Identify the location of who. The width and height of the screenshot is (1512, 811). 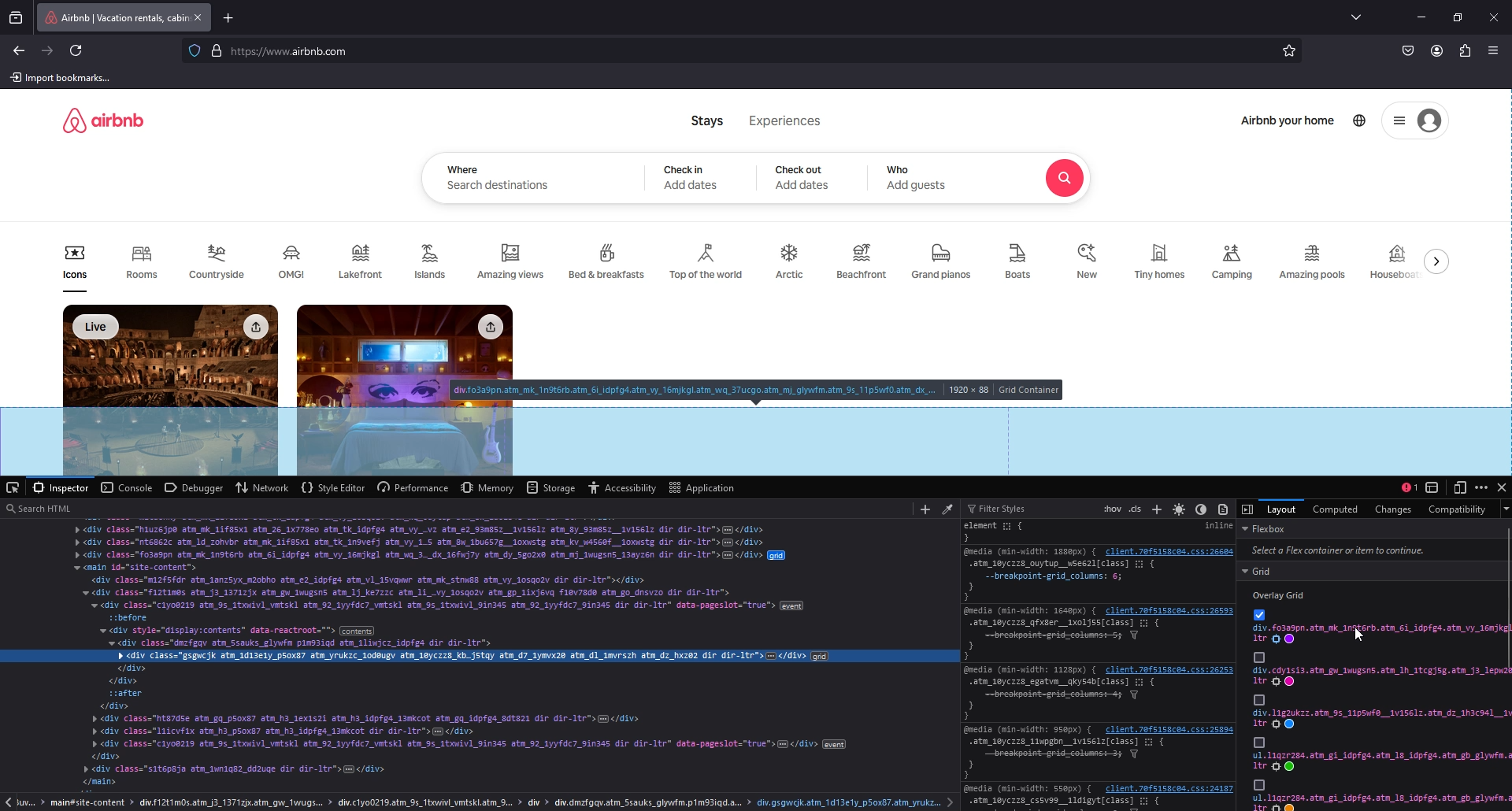
(901, 170).